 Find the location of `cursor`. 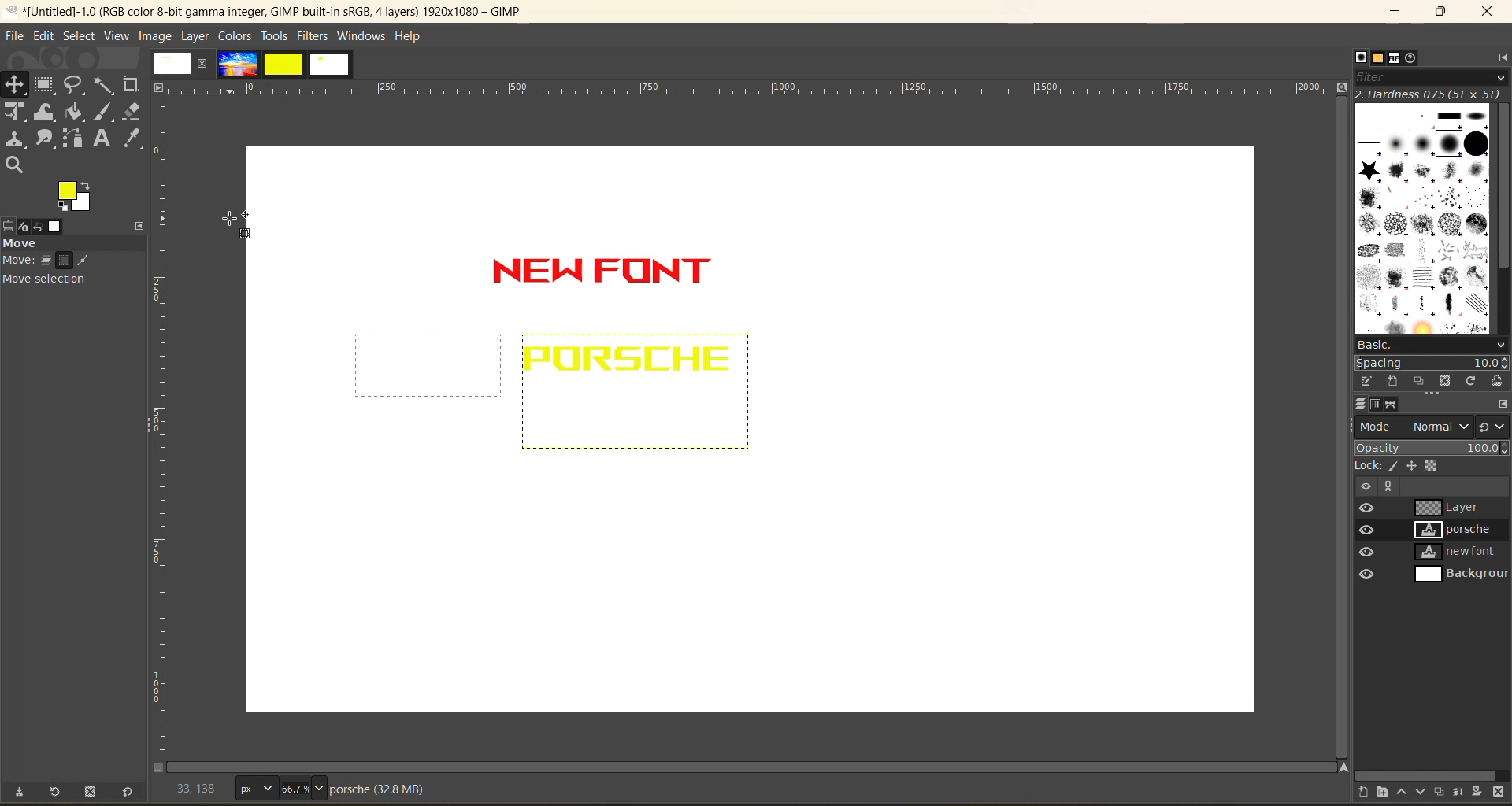

cursor is located at coordinates (242, 218).